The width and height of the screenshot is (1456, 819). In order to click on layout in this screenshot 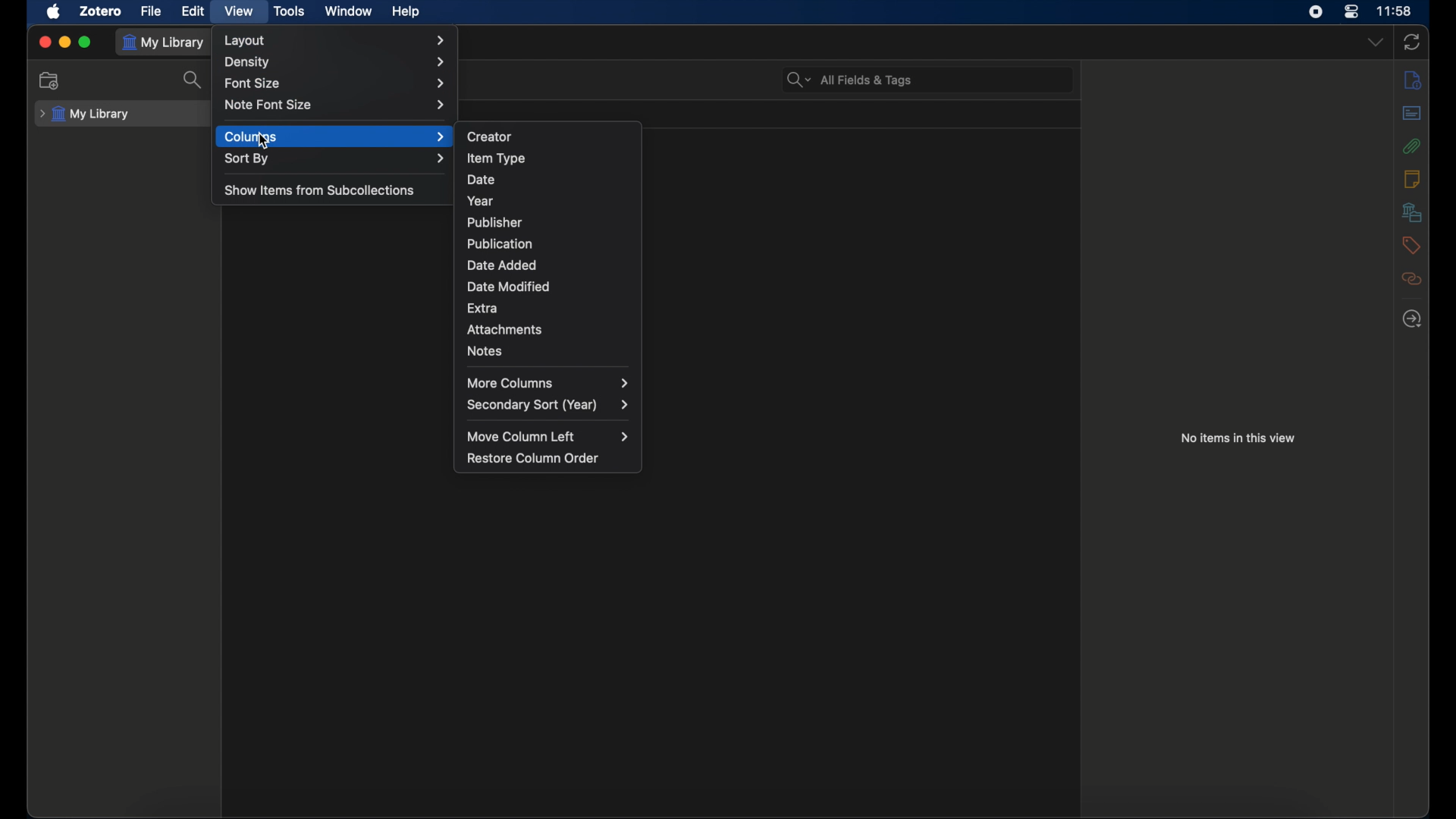, I will do `click(336, 40)`.